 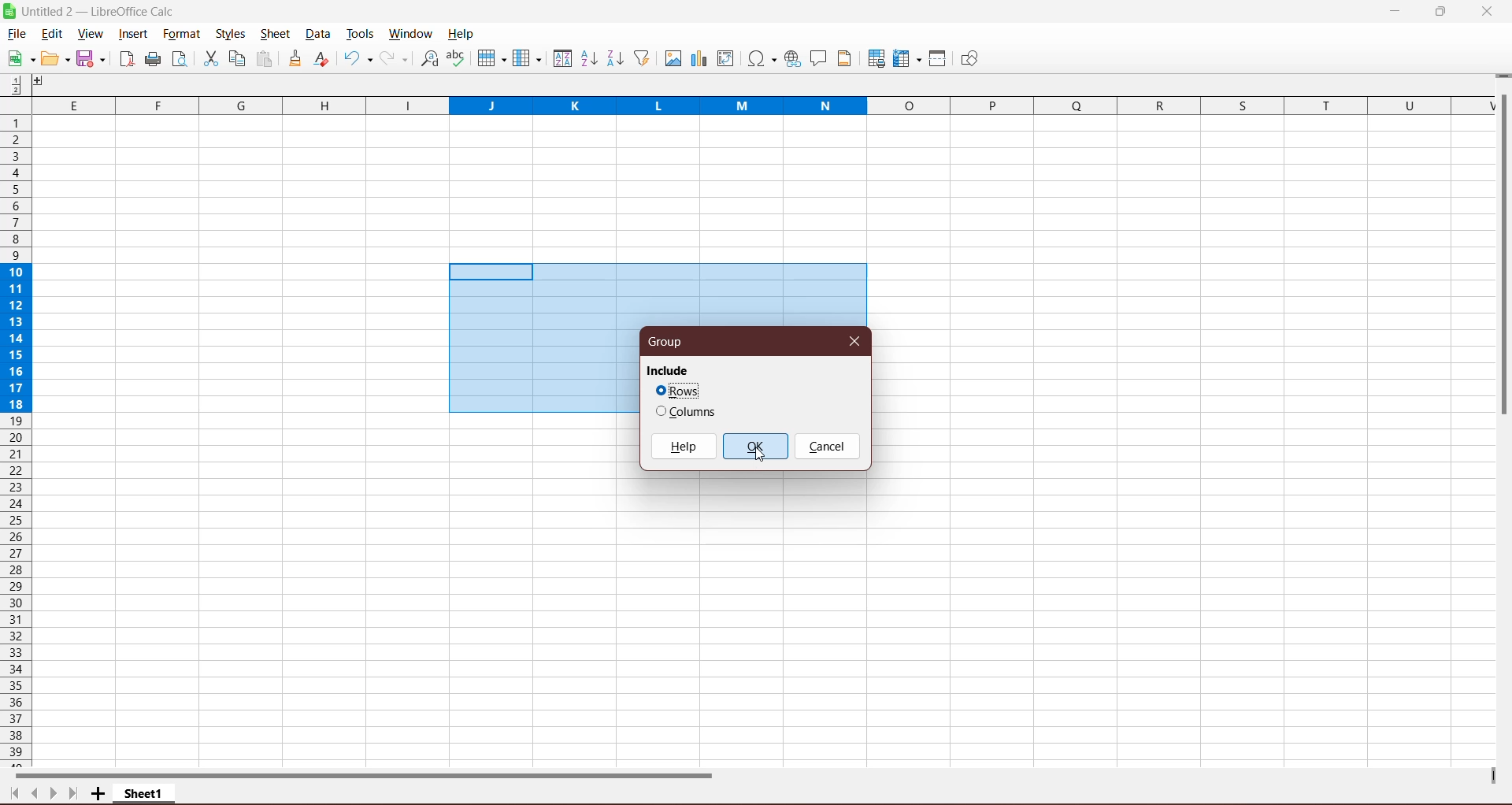 What do you see at coordinates (181, 34) in the screenshot?
I see `Format` at bounding box center [181, 34].